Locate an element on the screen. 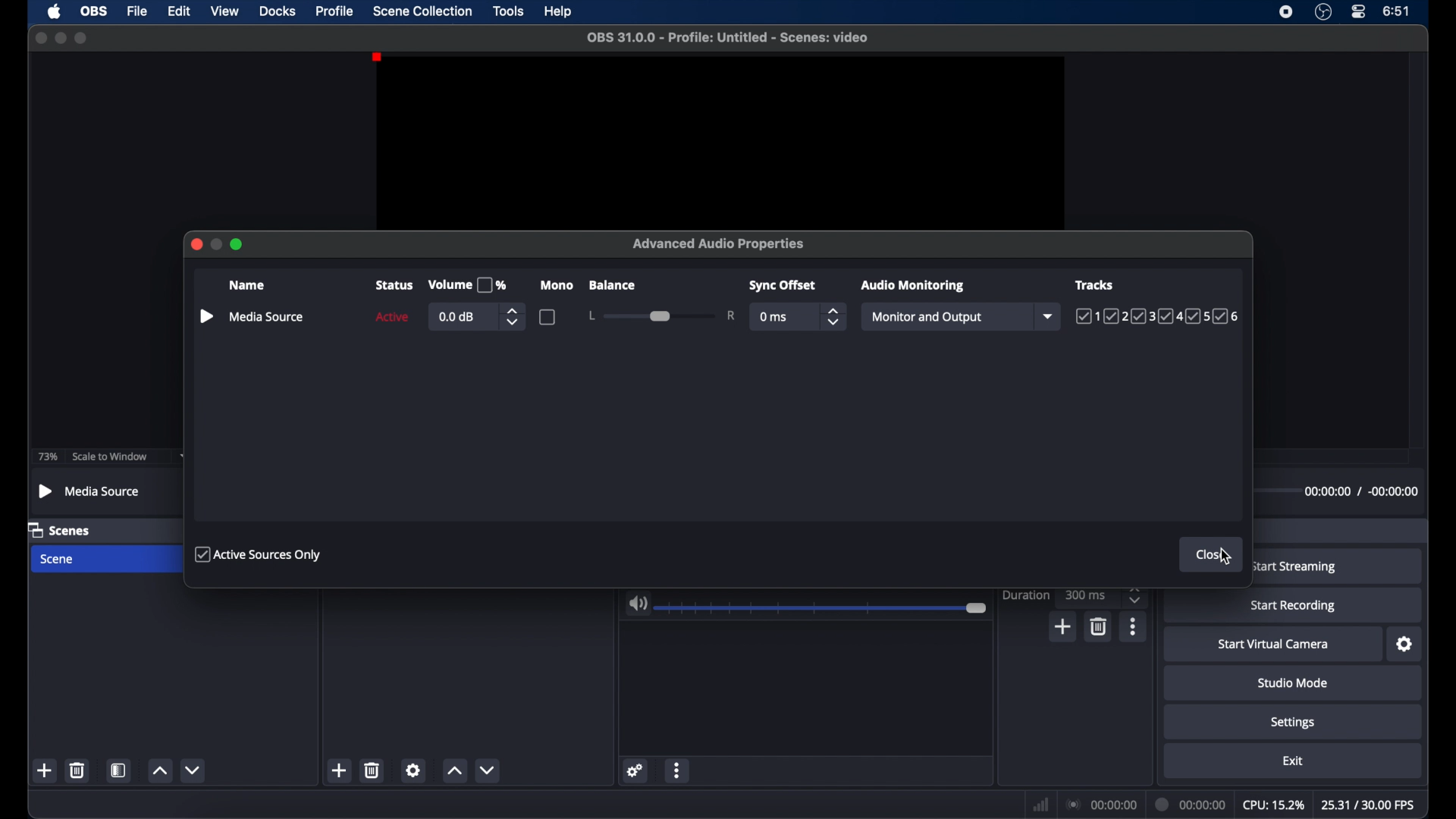 This screenshot has width=1456, height=819. balance is located at coordinates (613, 285).